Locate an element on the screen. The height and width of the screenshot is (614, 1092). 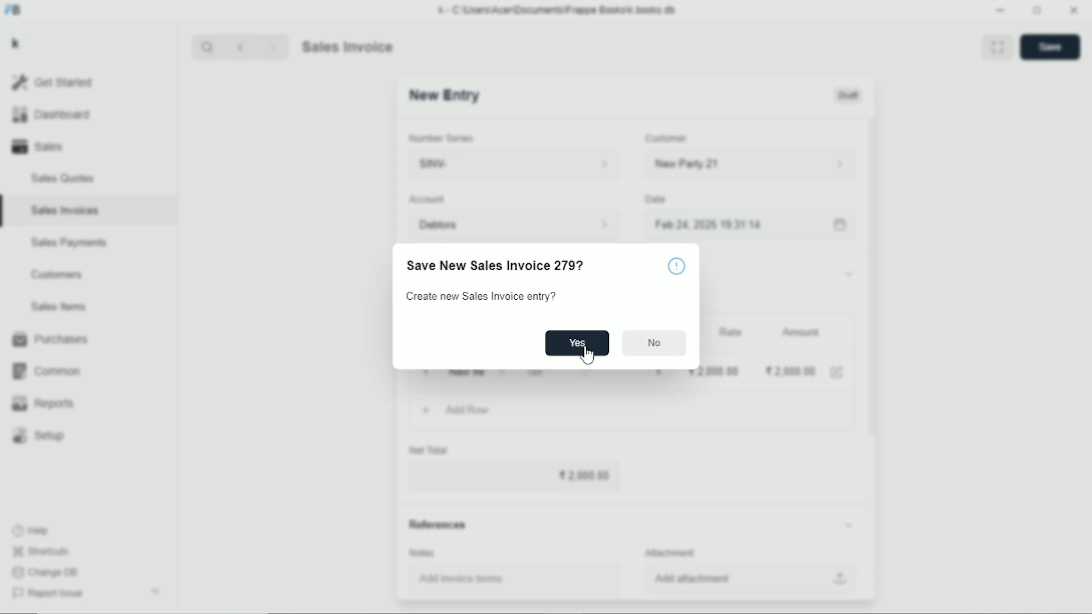
Purchases is located at coordinates (49, 339).